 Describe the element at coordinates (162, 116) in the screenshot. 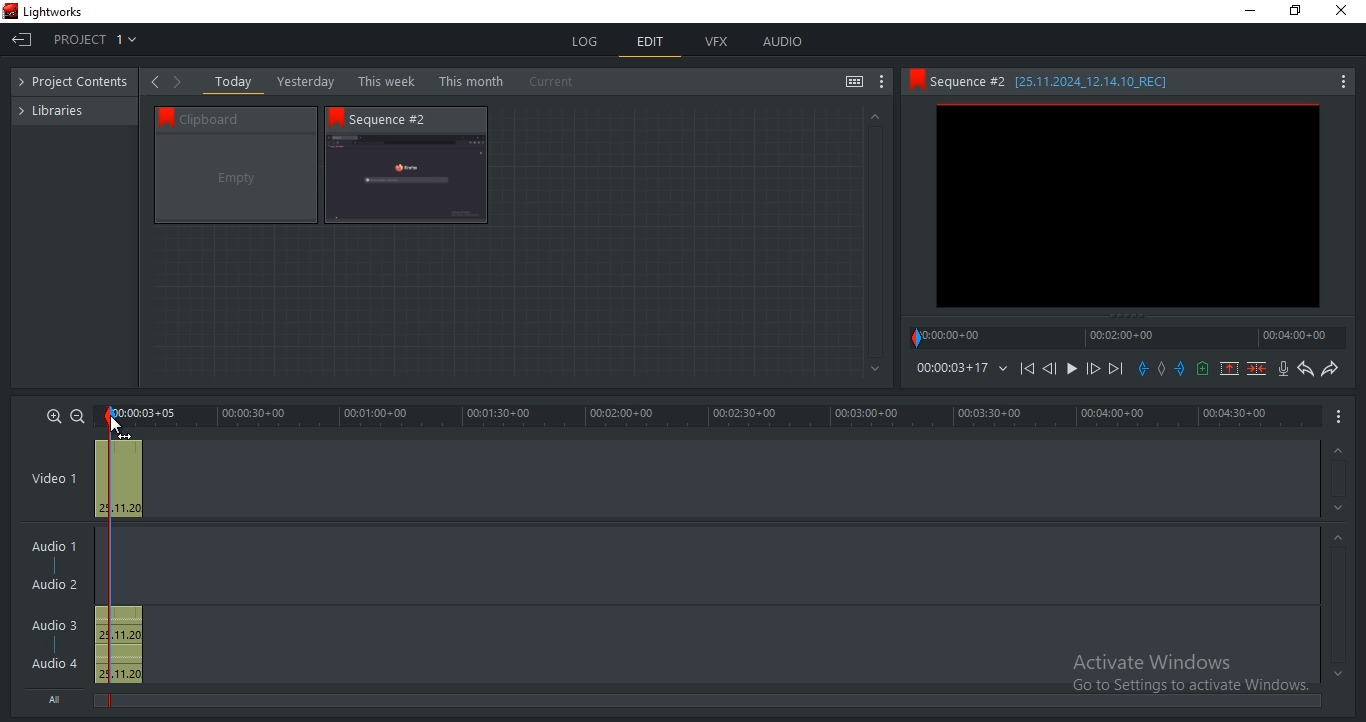

I see `Bookmark icon` at that location.